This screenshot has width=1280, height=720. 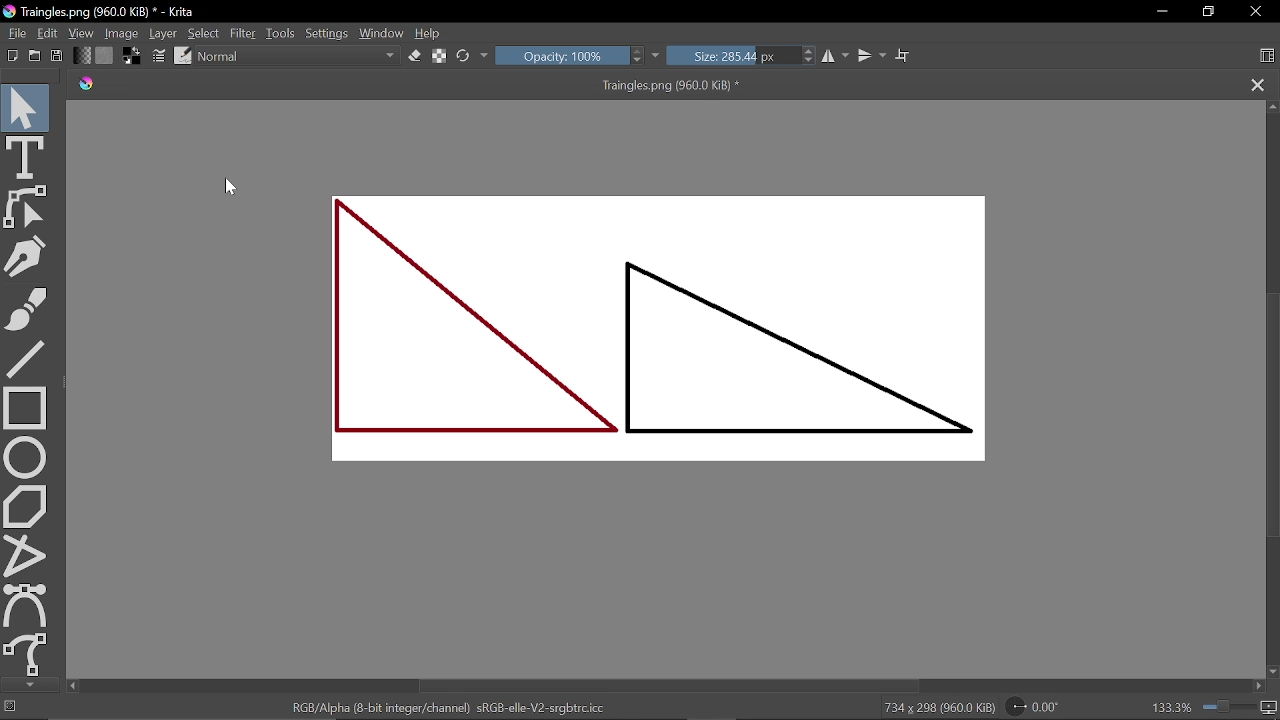 What do you see at coordinates (31, 361) in the screenshot?
I see `Line tool` at bounding box center [31, 361].